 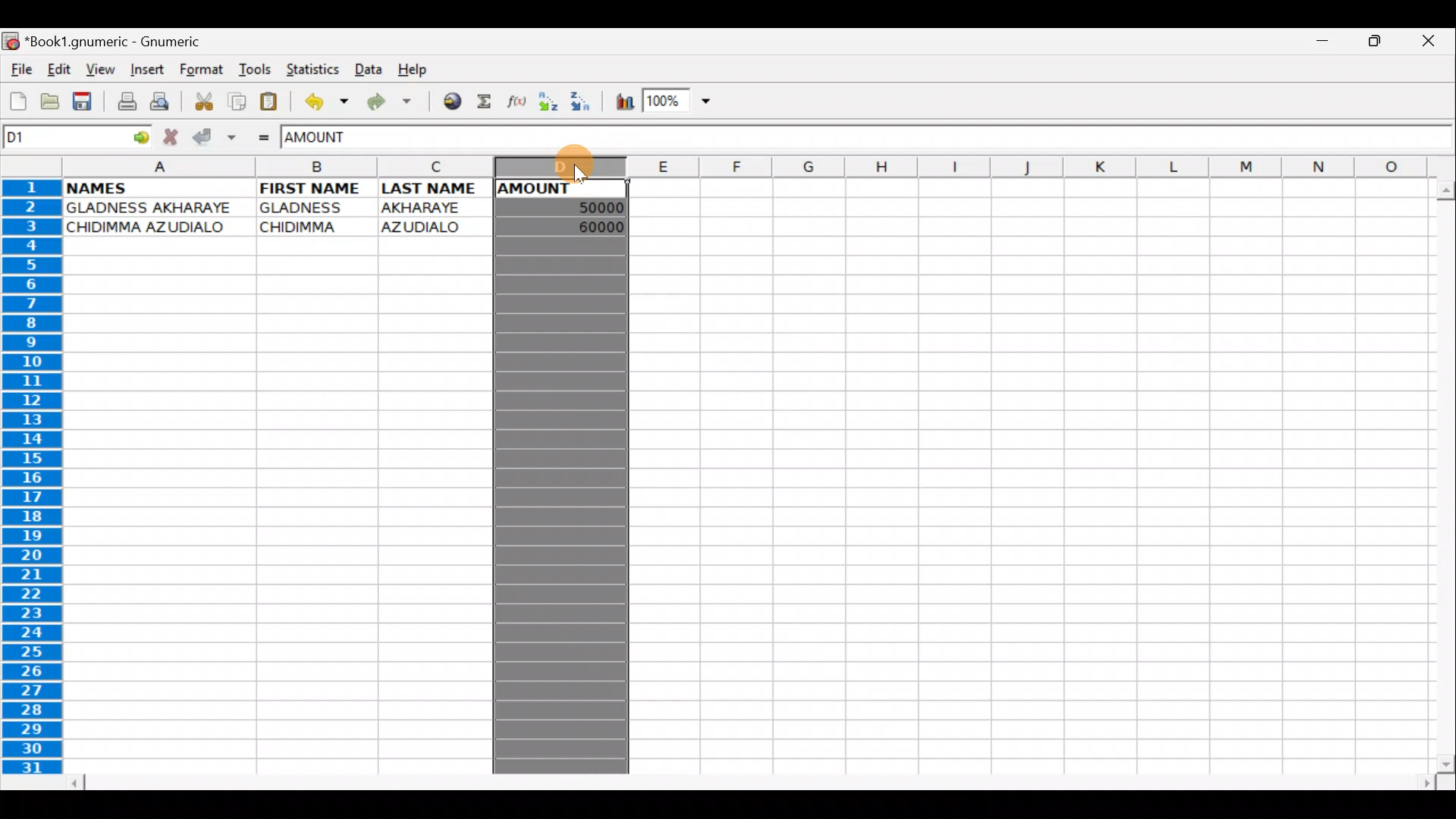 I want to click on Format, so click(x=201, y=72).